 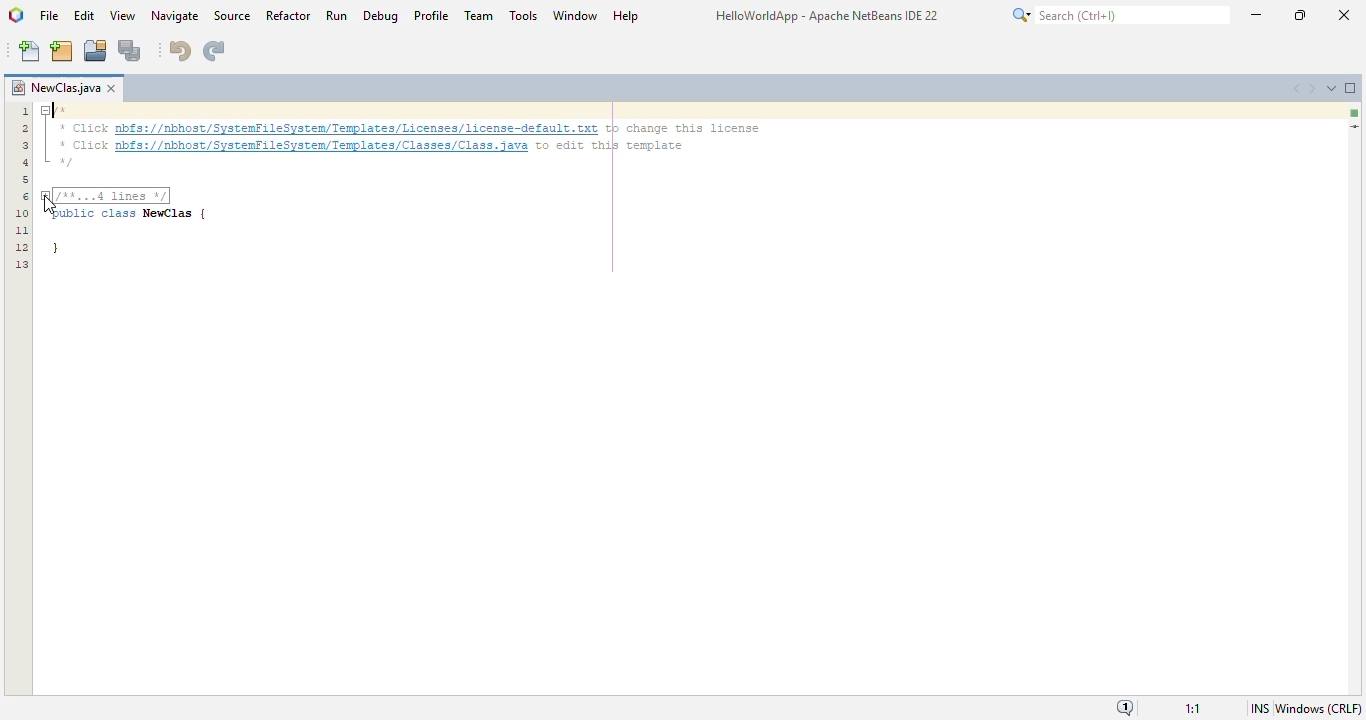 I want to click on close window, so click(x=111, y=88).